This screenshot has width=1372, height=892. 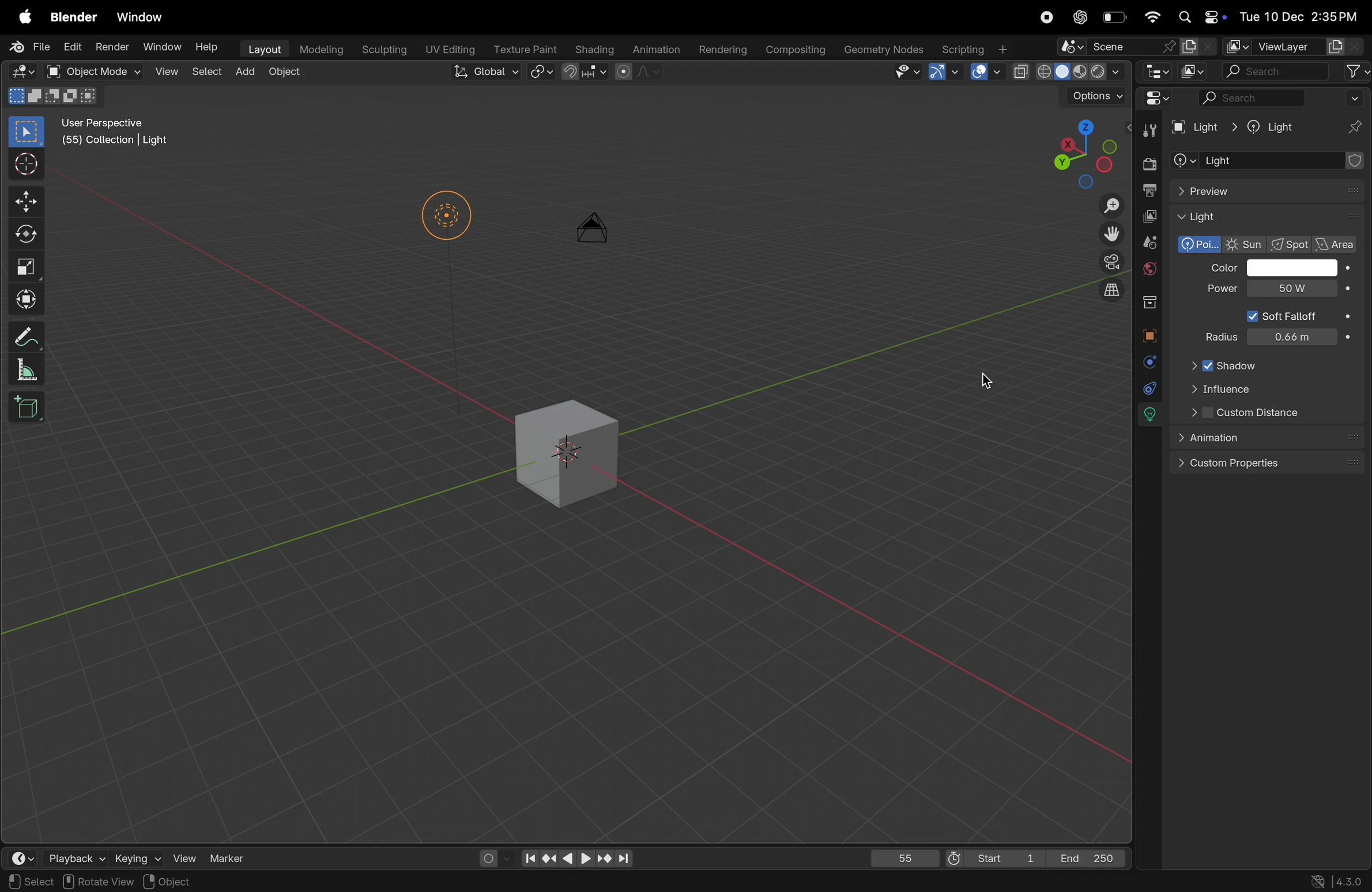 I want to click on editor type, so click(x=1155, y=71).